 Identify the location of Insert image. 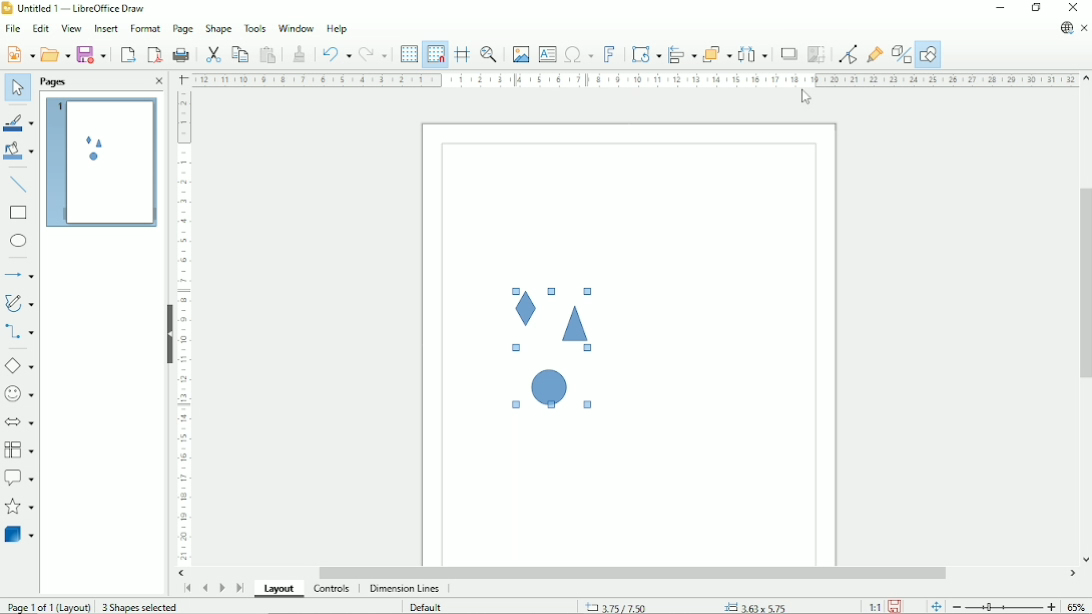
(521, 55).